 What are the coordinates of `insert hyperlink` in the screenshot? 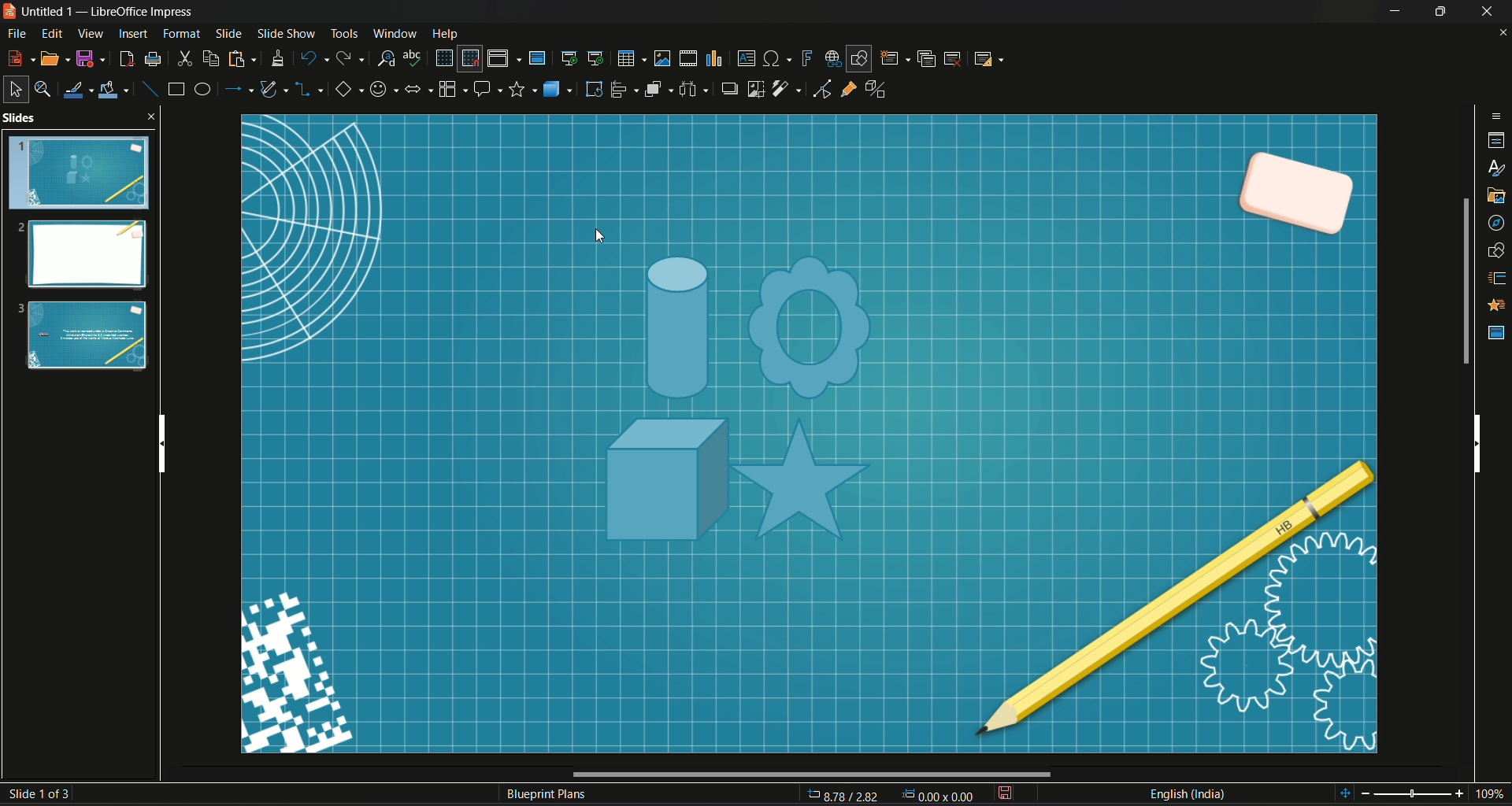 It's located at (832, 58).